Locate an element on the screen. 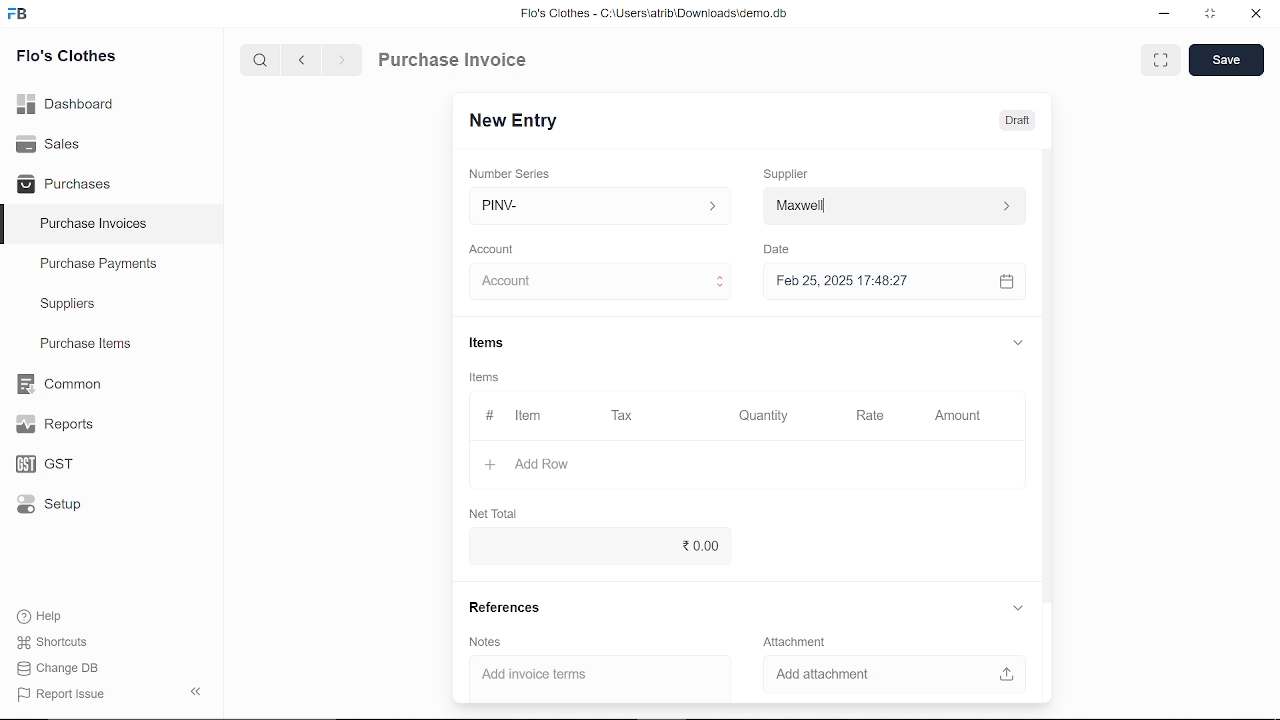 The image size is (1280, 720). next is located at coordinates (342, 63).